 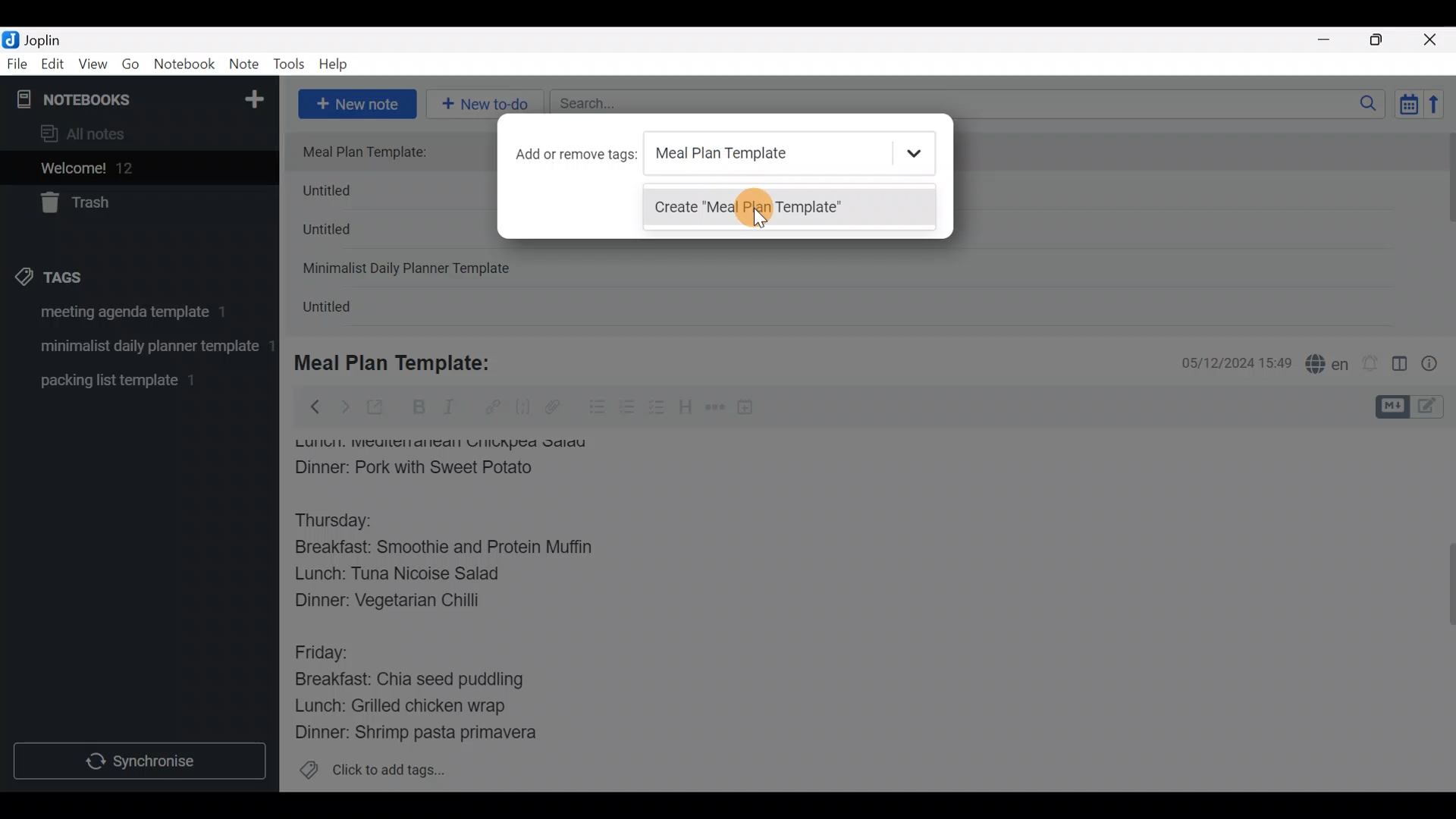 What do you see at coordinates (627, 410) in the screenshot?
I see `Numbered list` at bounding box center [627, 410].